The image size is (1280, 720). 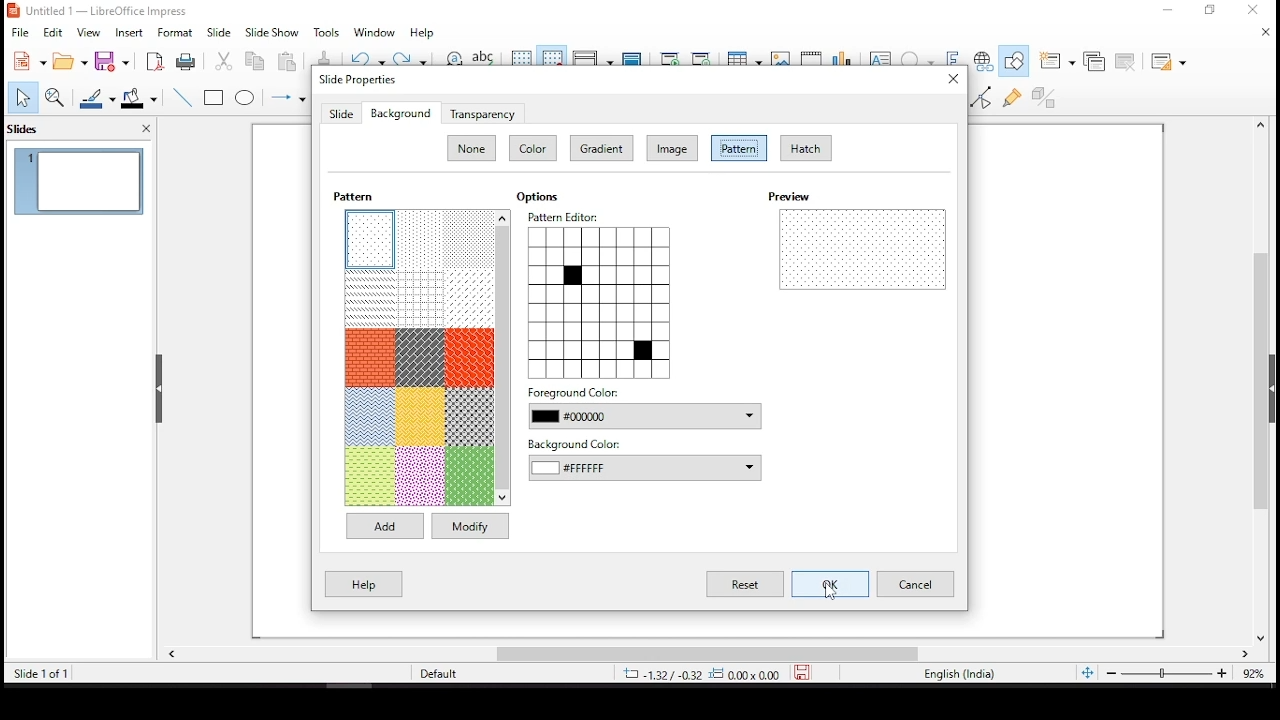 I want to click on background, so click(x=400, y=112).